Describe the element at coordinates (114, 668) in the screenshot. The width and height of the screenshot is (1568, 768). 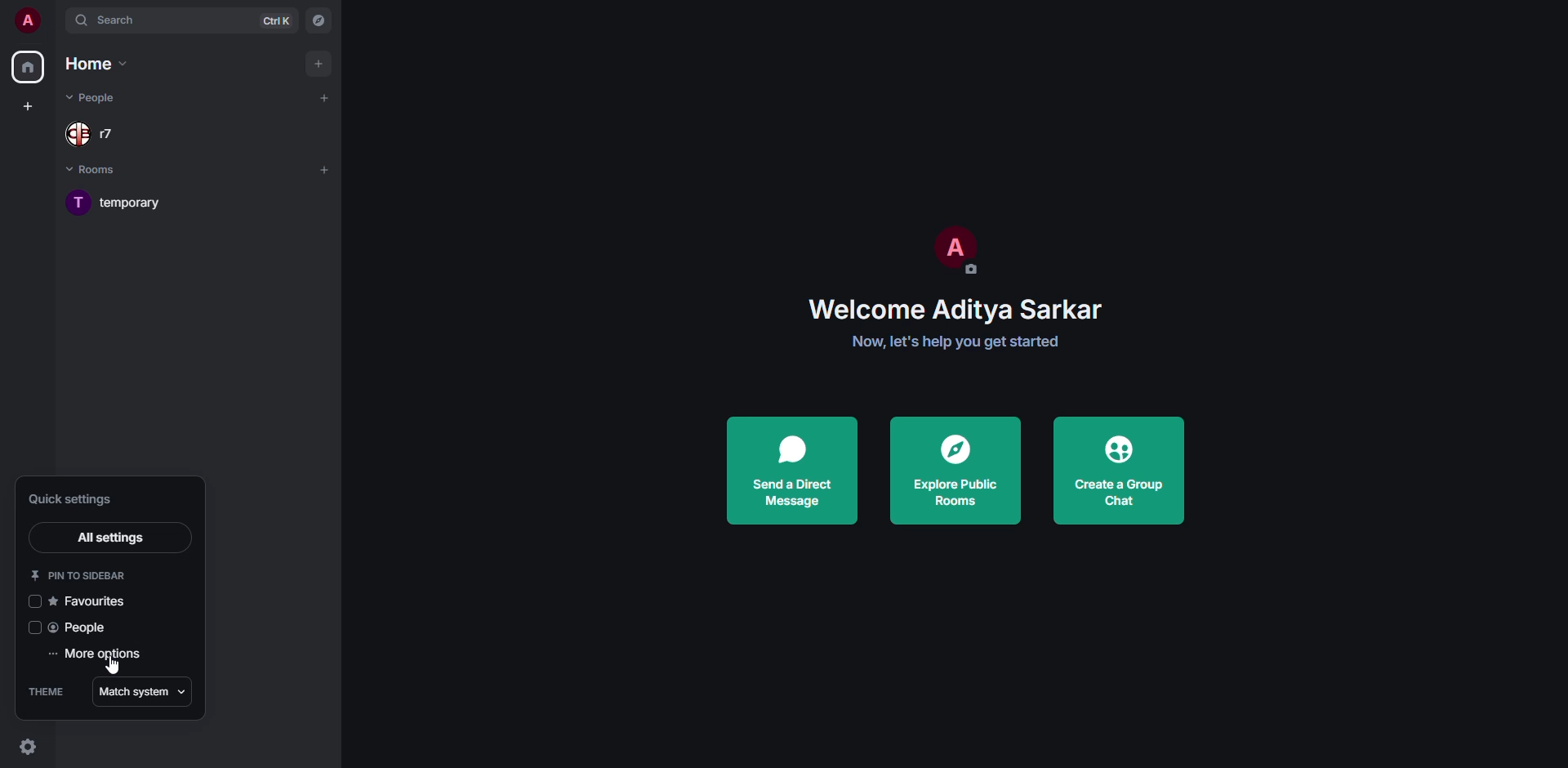
I see `cursor` at that location.